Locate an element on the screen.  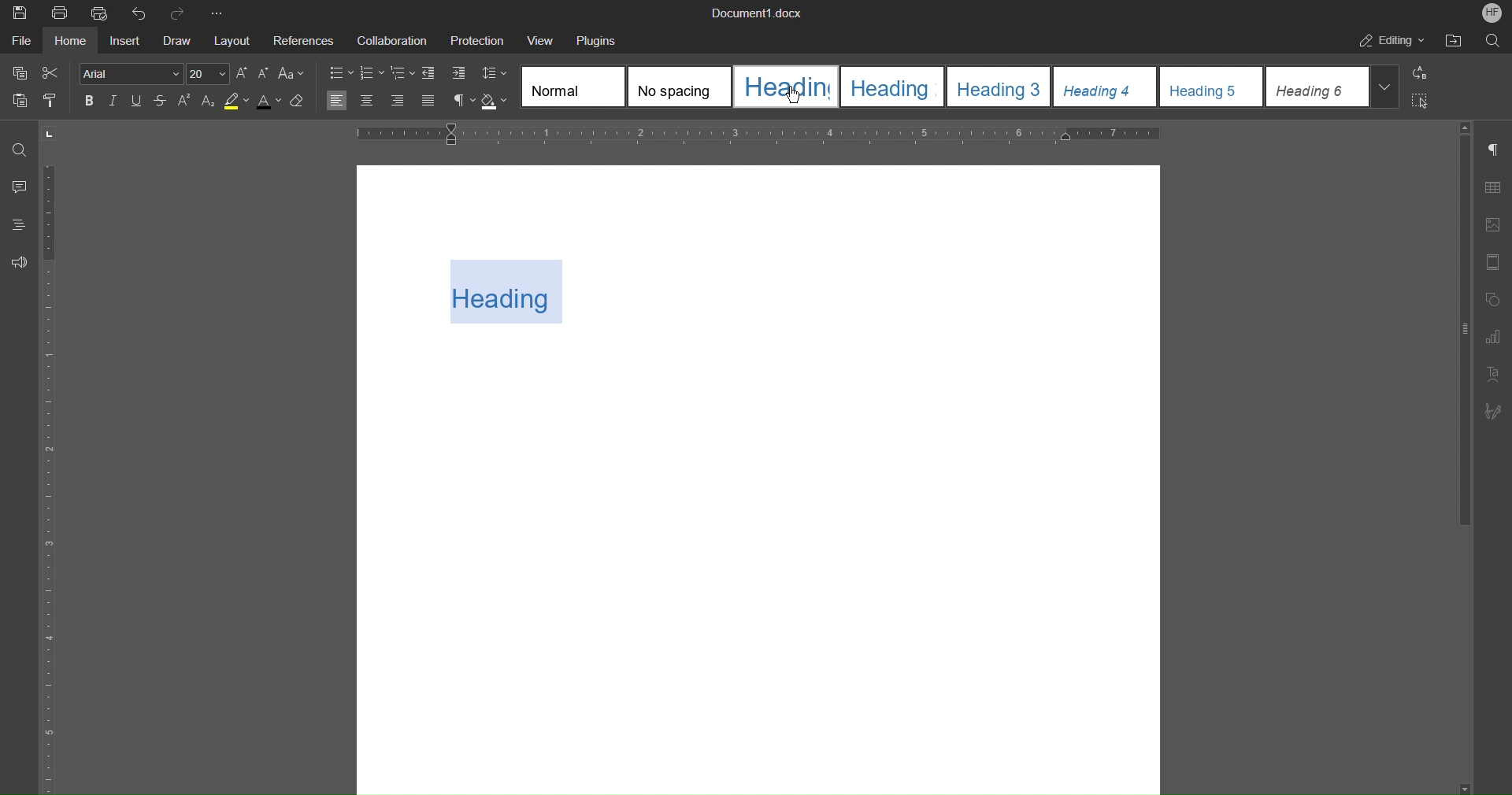
Shape Settings is located at coordinates (1494, 300).